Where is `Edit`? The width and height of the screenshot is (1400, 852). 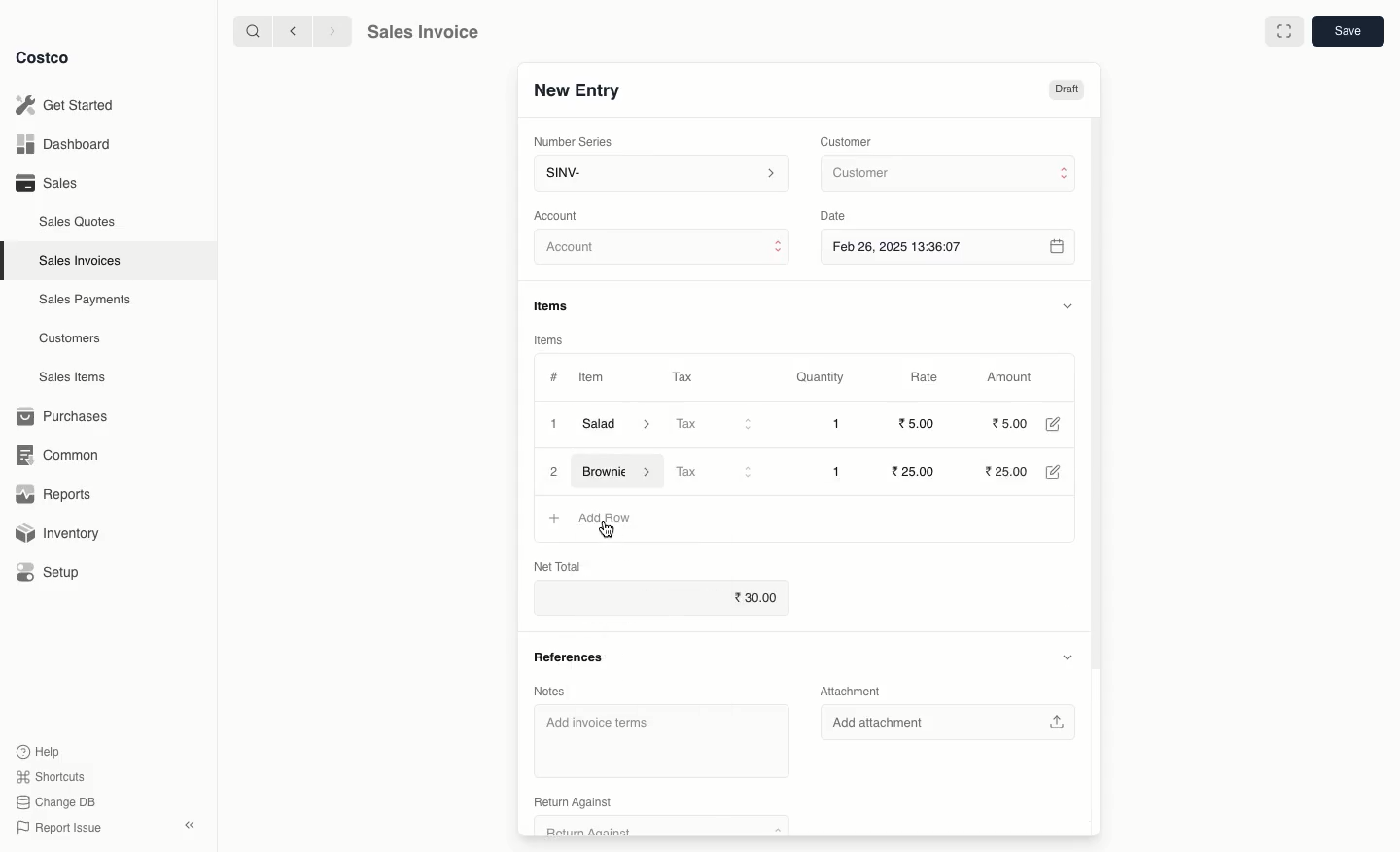 Edit is located at coordinates (1052, 424).